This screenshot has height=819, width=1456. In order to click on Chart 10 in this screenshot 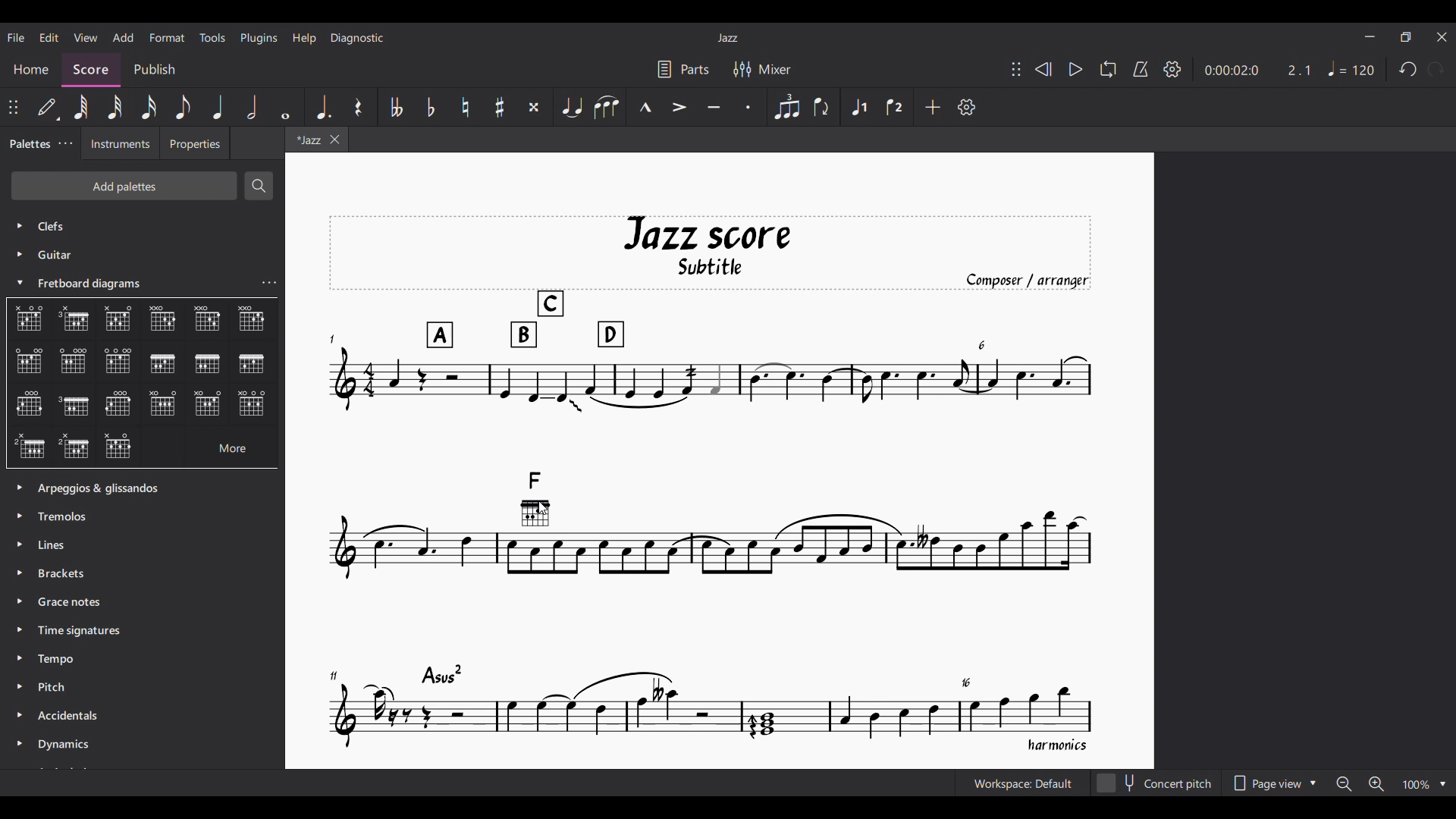, I will do `click(209, 363)`.